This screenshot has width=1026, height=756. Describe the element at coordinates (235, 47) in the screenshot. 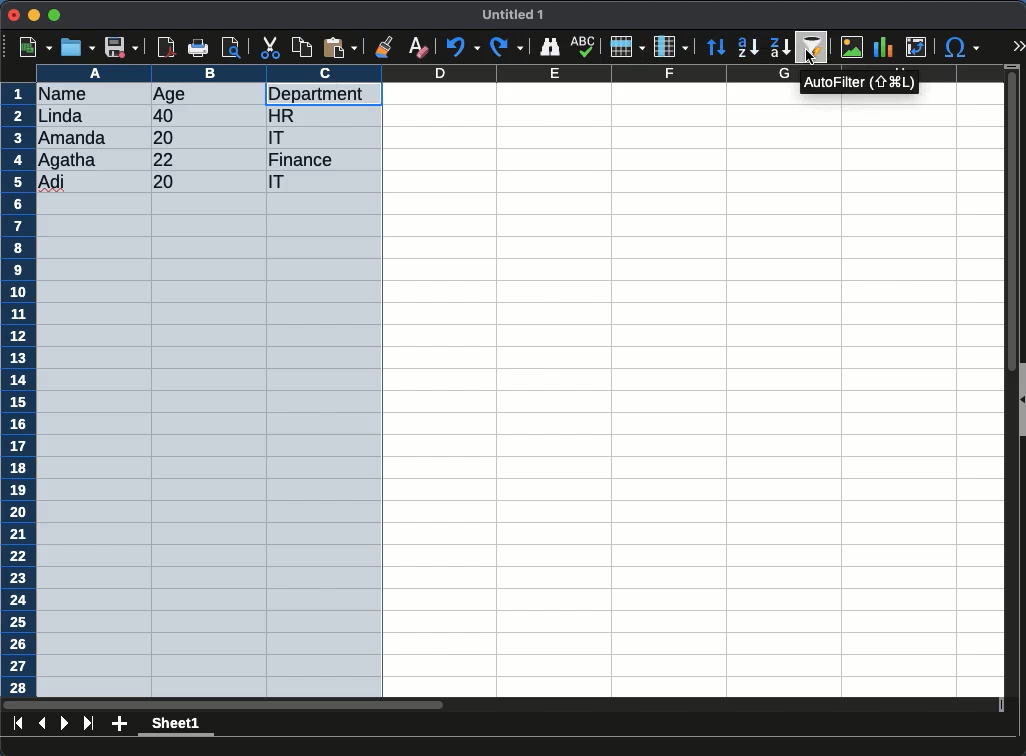

I see `page preview` at that location.